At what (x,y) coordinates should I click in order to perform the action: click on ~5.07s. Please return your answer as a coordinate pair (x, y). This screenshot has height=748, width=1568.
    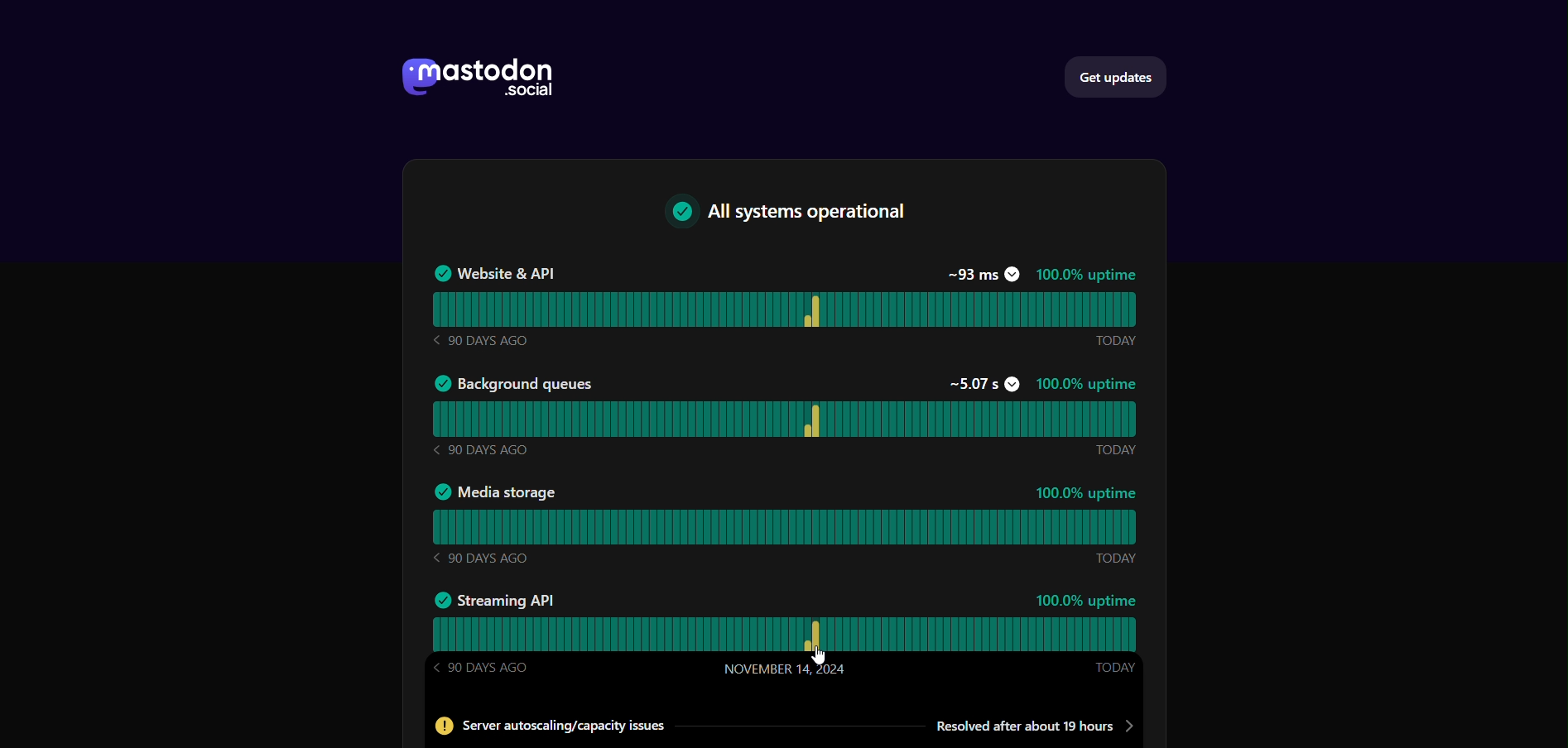
    Looking at the image, I should click on (982, 384).